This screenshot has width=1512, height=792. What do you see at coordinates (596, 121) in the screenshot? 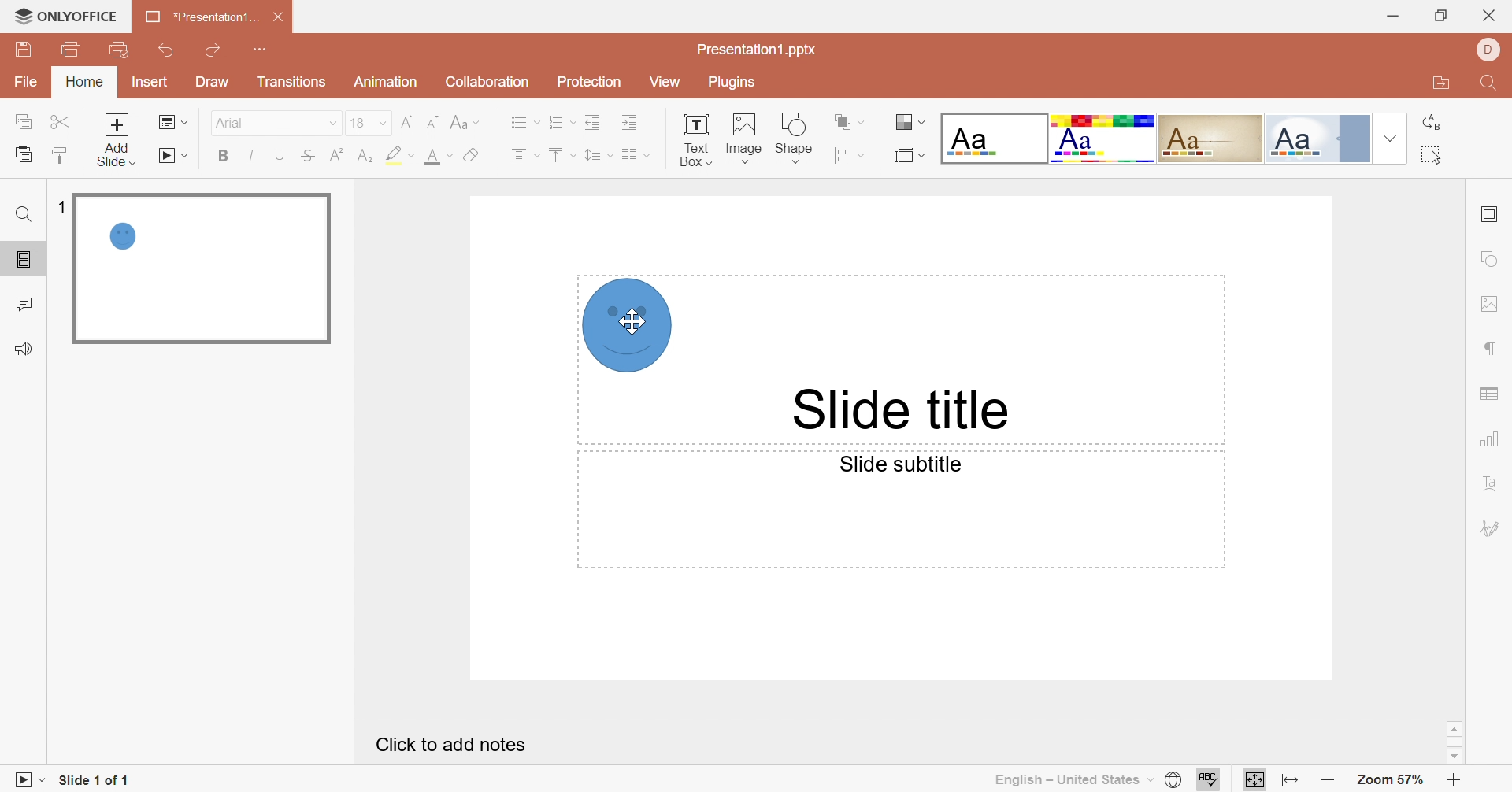
I see `Decrease Indent` at bounding box center [596, 121].